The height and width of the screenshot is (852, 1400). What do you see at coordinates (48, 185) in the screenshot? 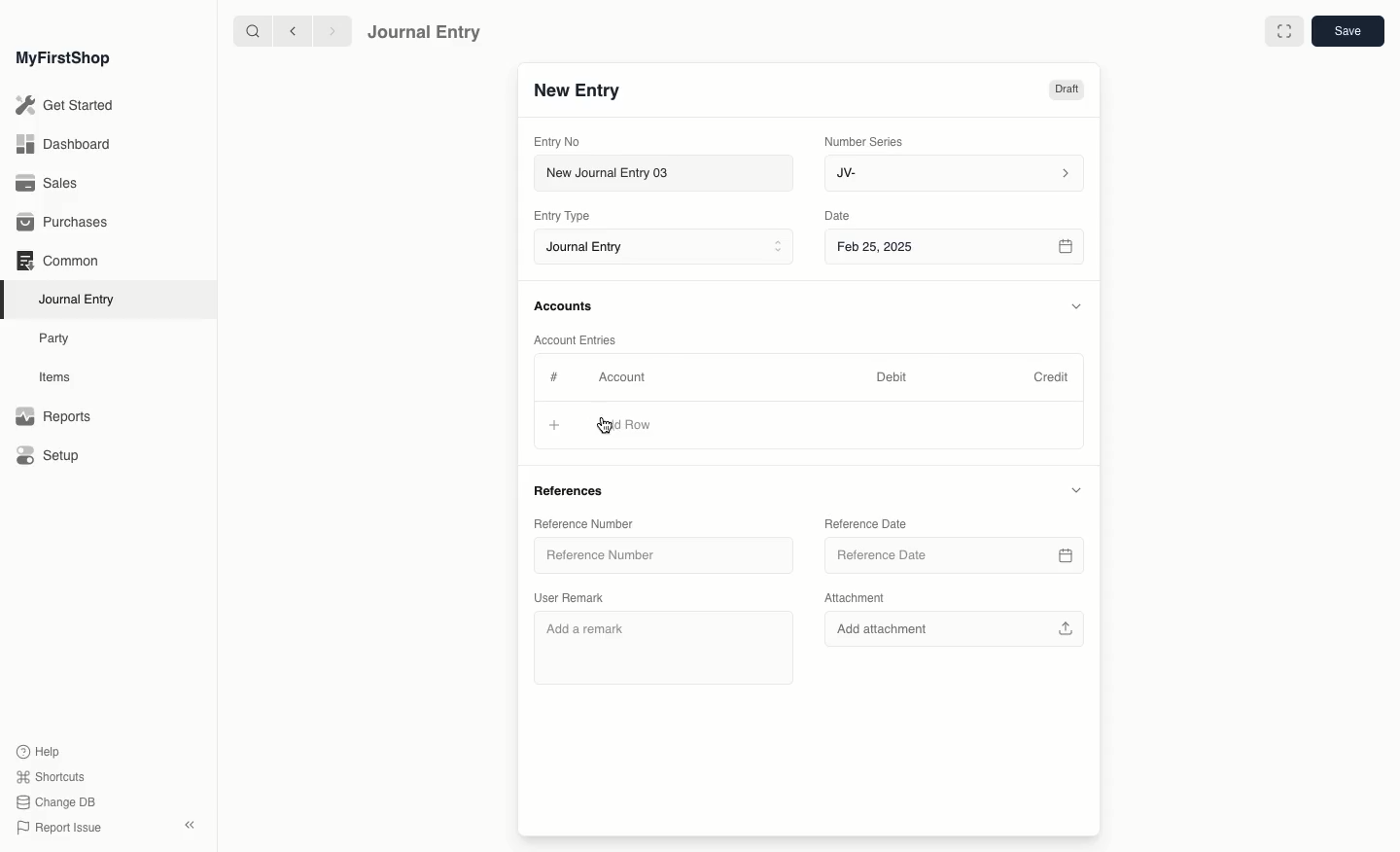
I see `Sales` at bounding box center [48, 185].